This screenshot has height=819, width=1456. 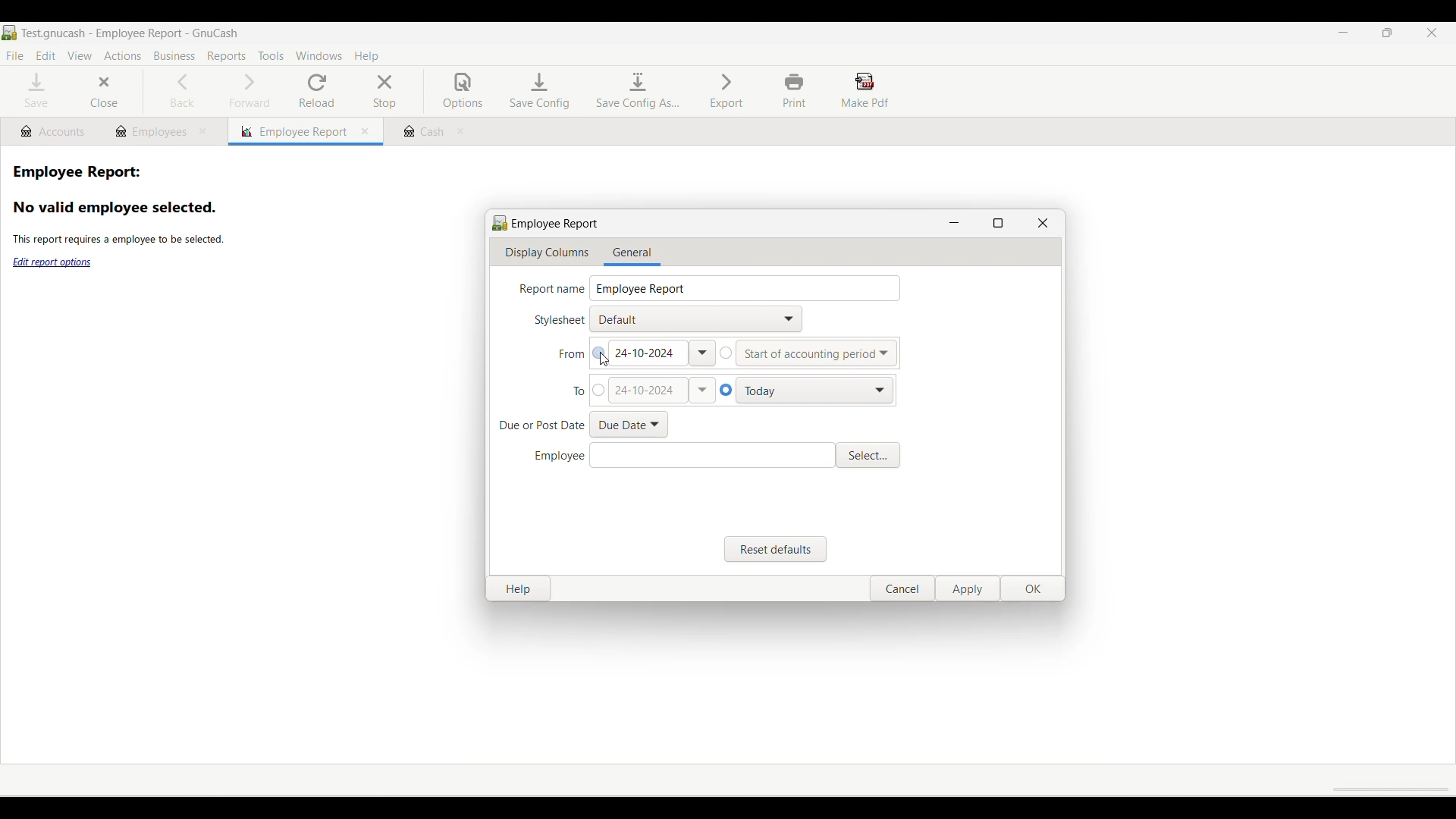 I want to click on Select preset From date, so click(x=726, y=353).